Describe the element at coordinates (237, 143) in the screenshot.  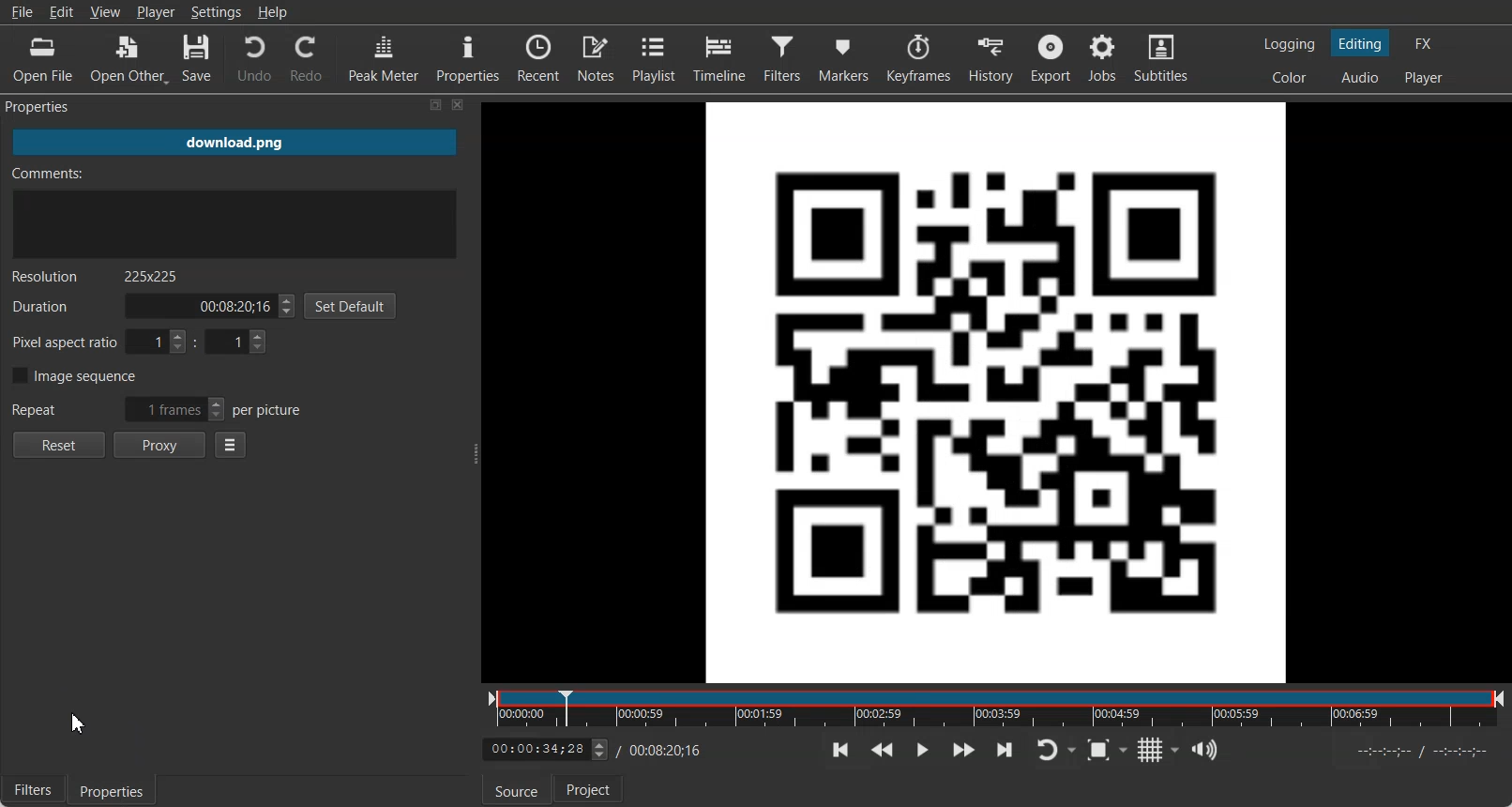
I see `File name` at that location.